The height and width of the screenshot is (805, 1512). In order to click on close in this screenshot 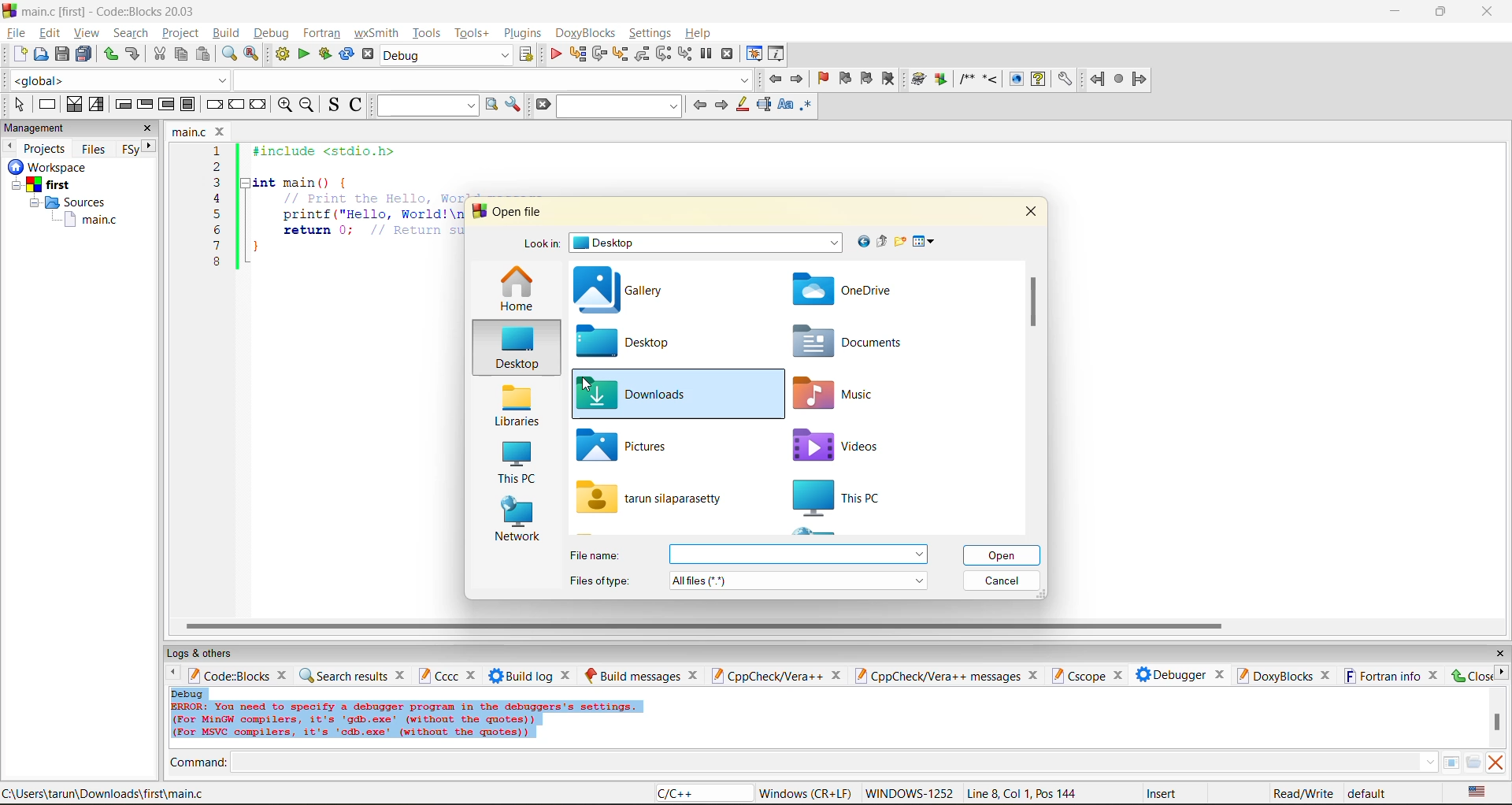, I will do `click(836, 676)`.